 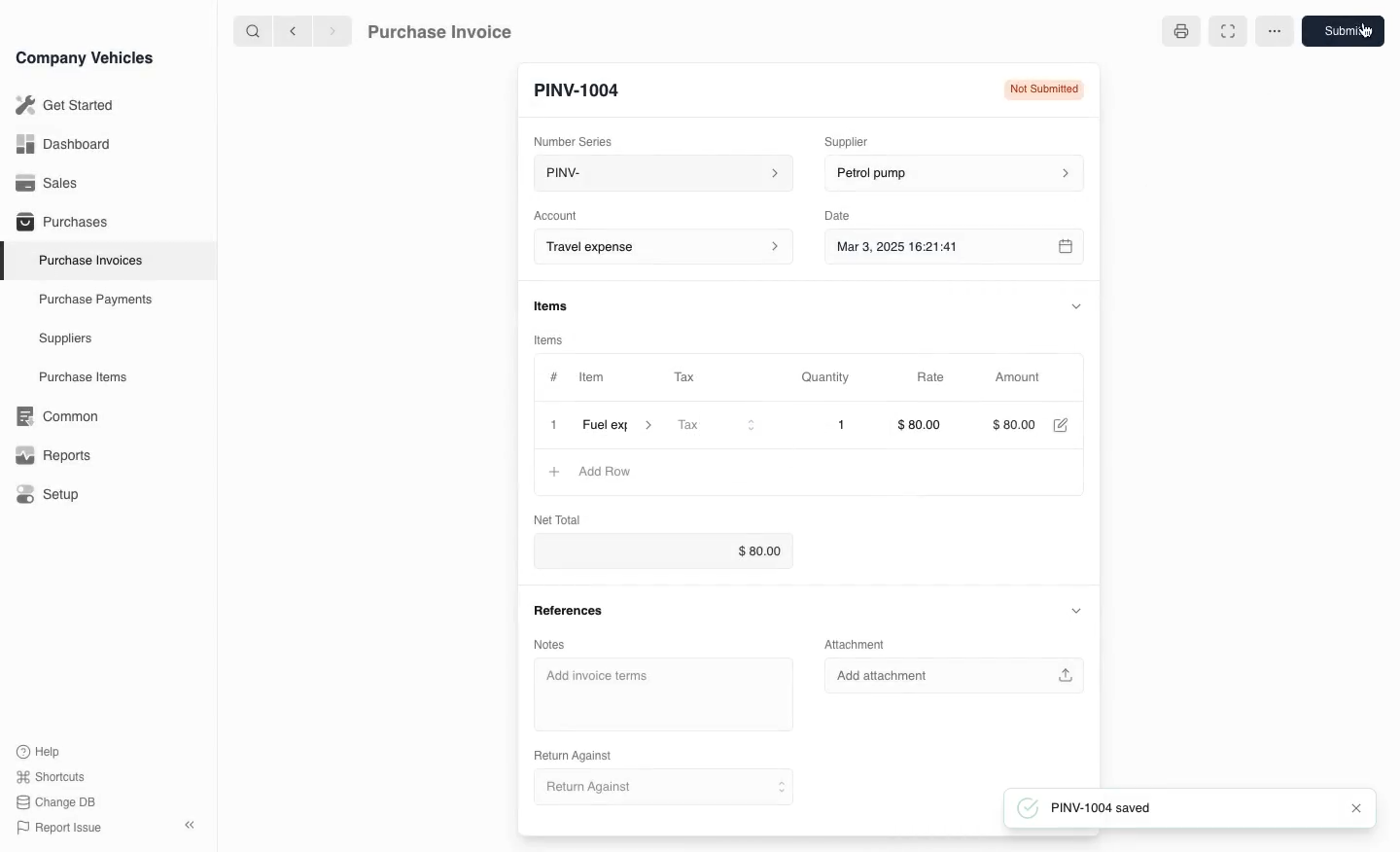 What do you see at coordinates (291, 30) in the screenshot?
I see `previous` at bounding box center [291, 30].